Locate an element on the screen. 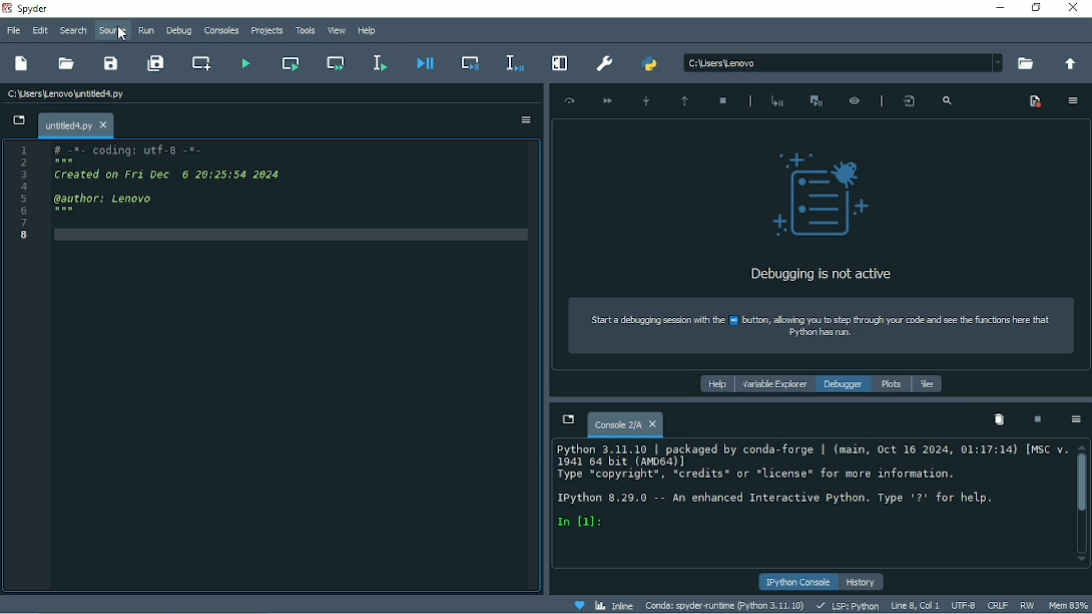 This screenshot has width=1092, height=614. Run current cell is located at coordinates (291, 64).